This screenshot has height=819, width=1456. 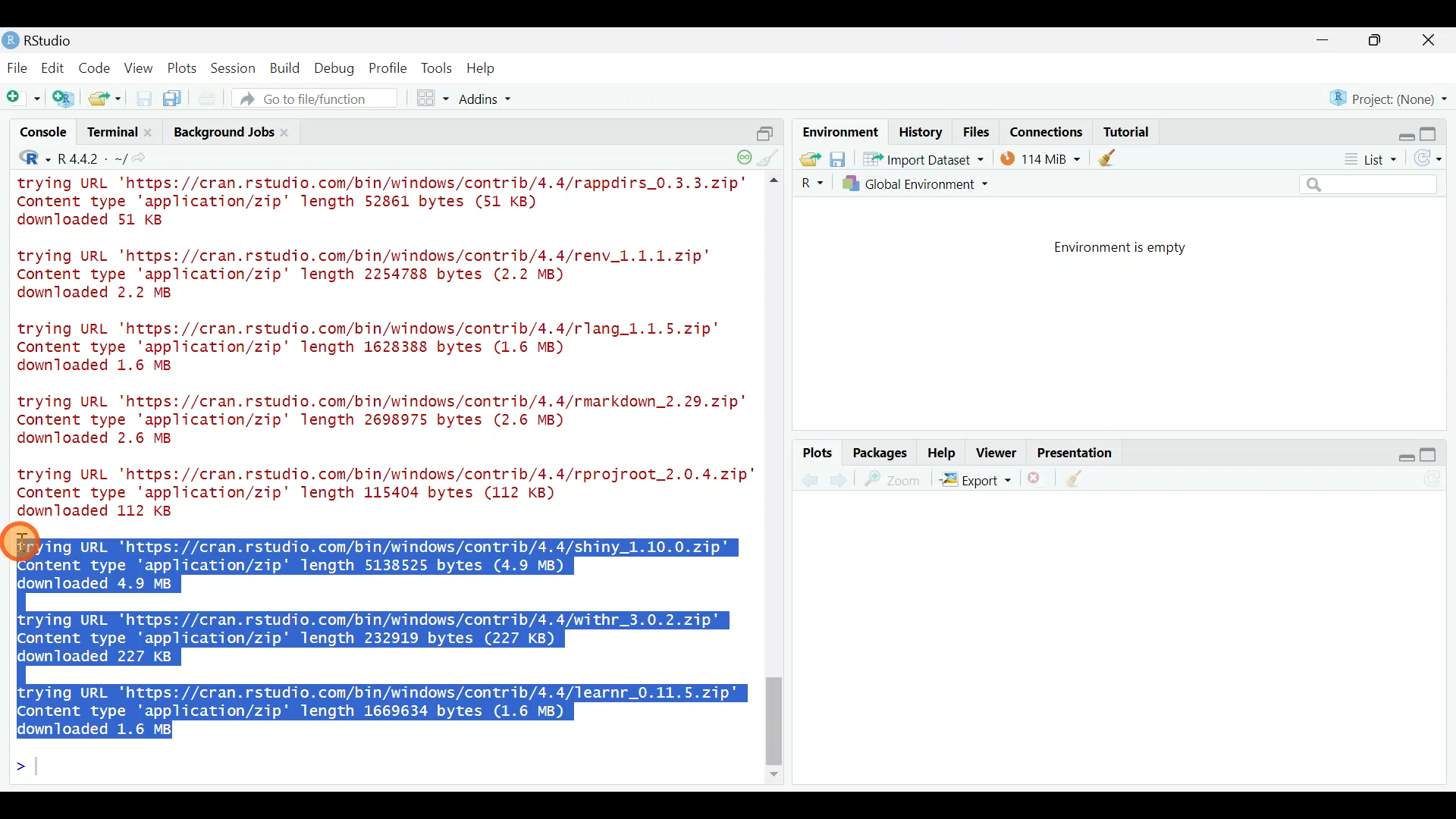 What do you see at coordinates (111, 134) in the screenshot?
I see `Terminal` at bounding box center [111, 134].